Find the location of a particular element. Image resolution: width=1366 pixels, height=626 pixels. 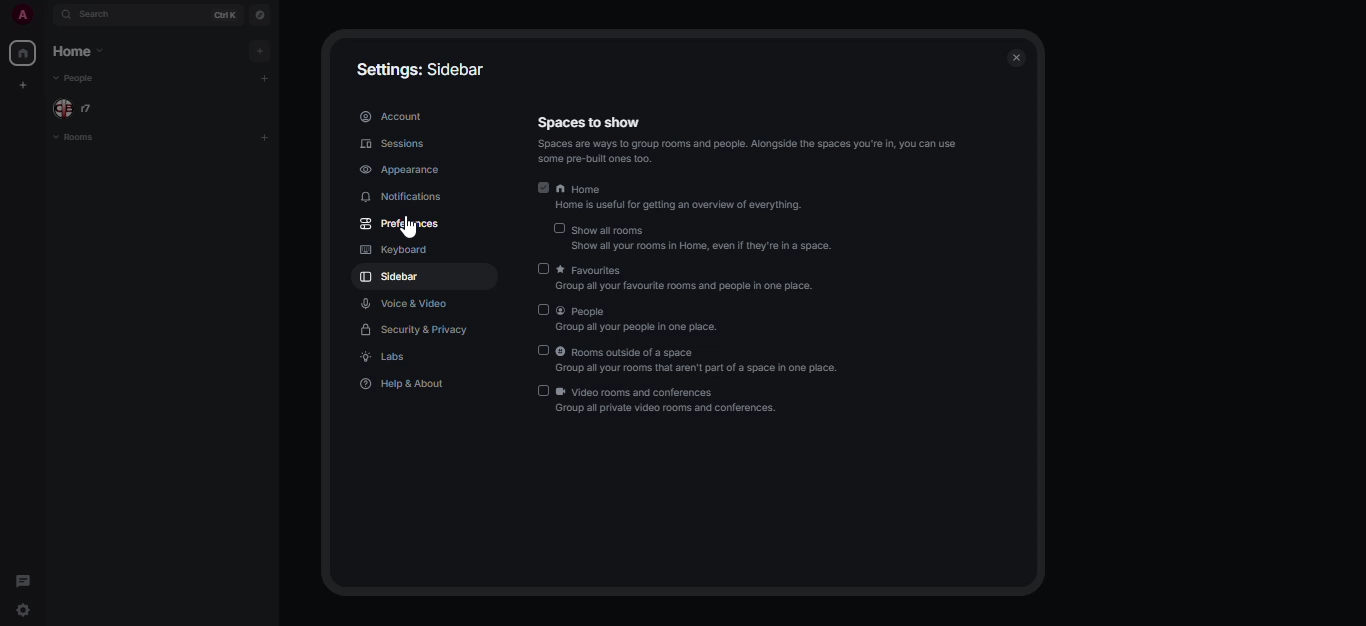

labs is located at coordinates (387, 357).